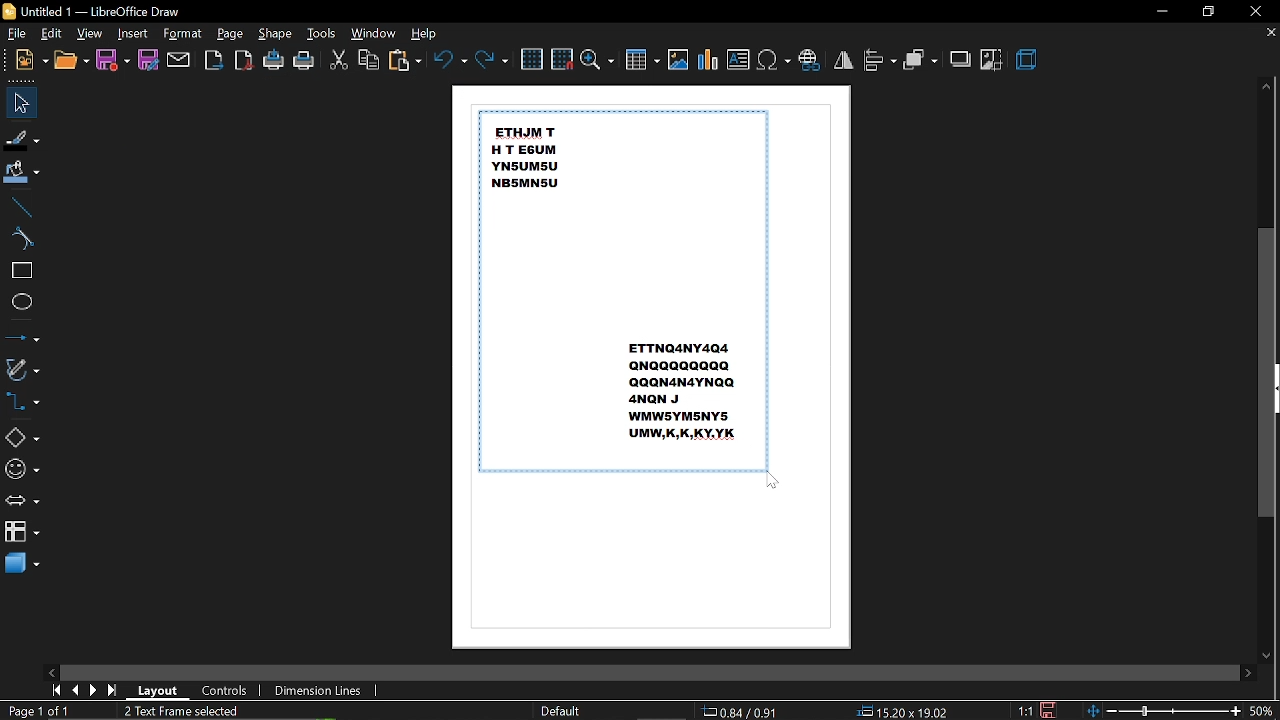 The image size is (1280, 720). Describe the element at coordinates (77, 690) in the screenshot. I see `previous page` at that location.